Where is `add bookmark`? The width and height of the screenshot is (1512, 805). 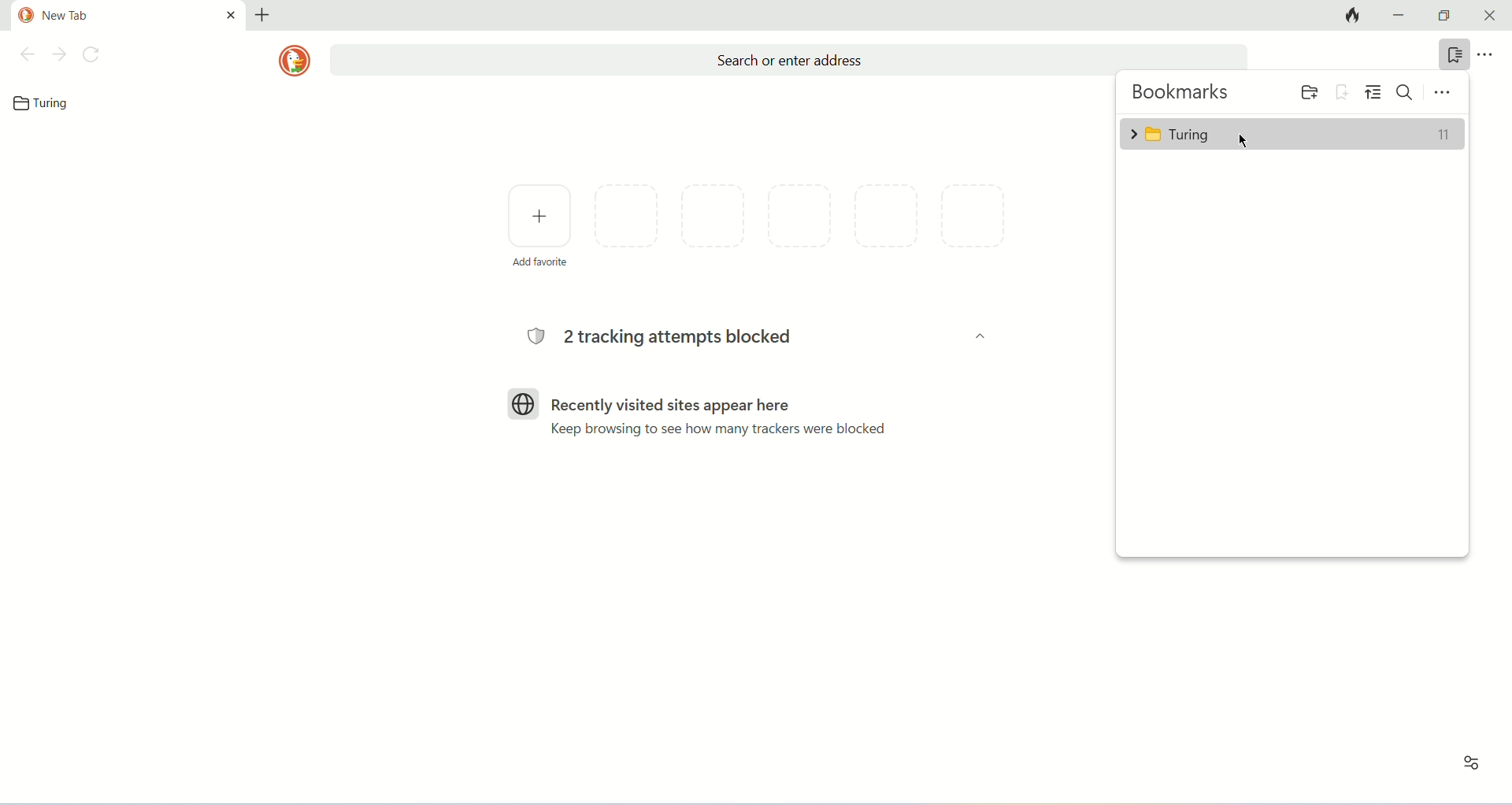 add bookmark is located at coordinates (1343, 91).